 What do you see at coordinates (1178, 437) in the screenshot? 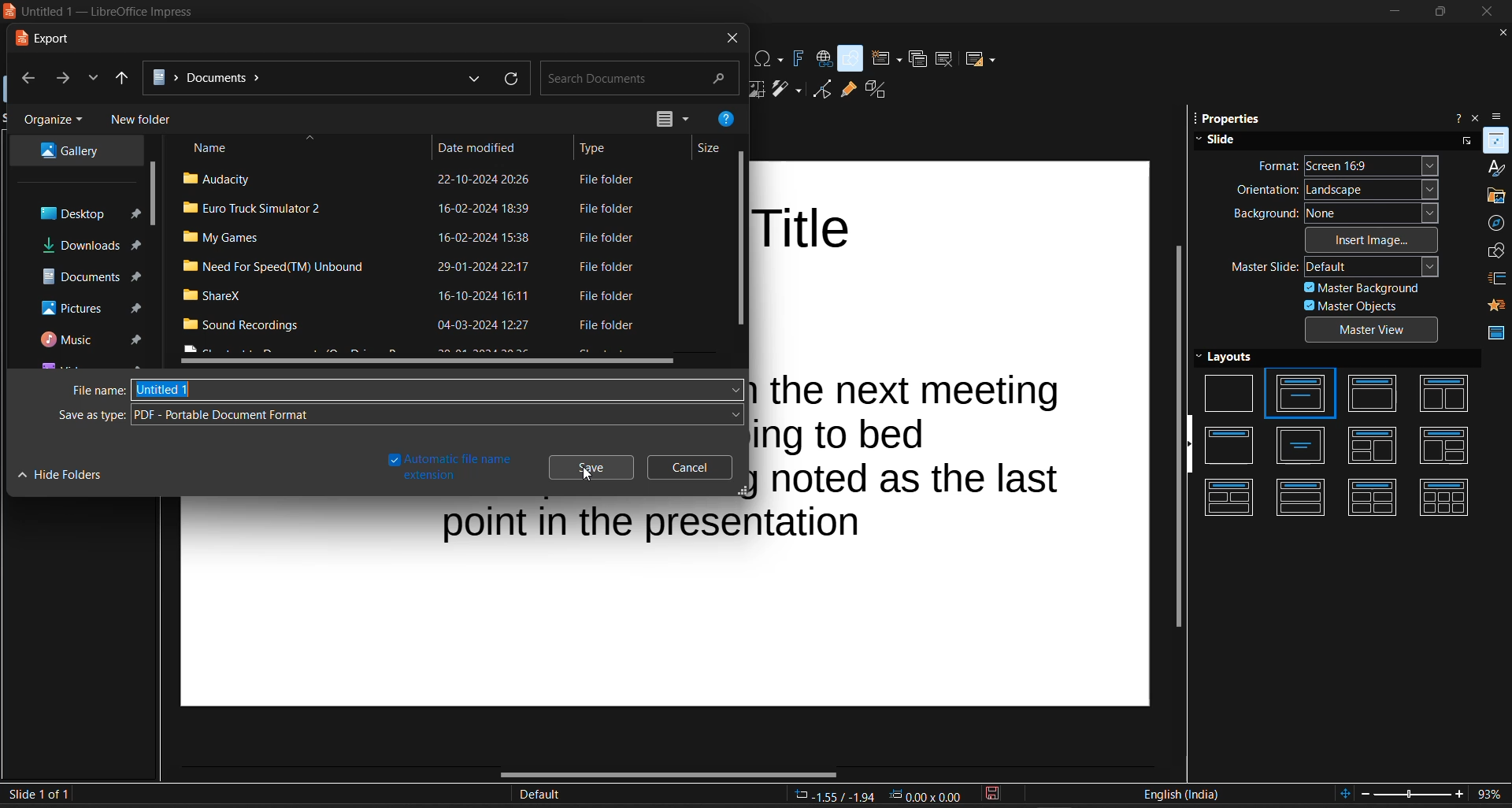
I see `vertical scroll bar` at bounding box center [1178, 437].